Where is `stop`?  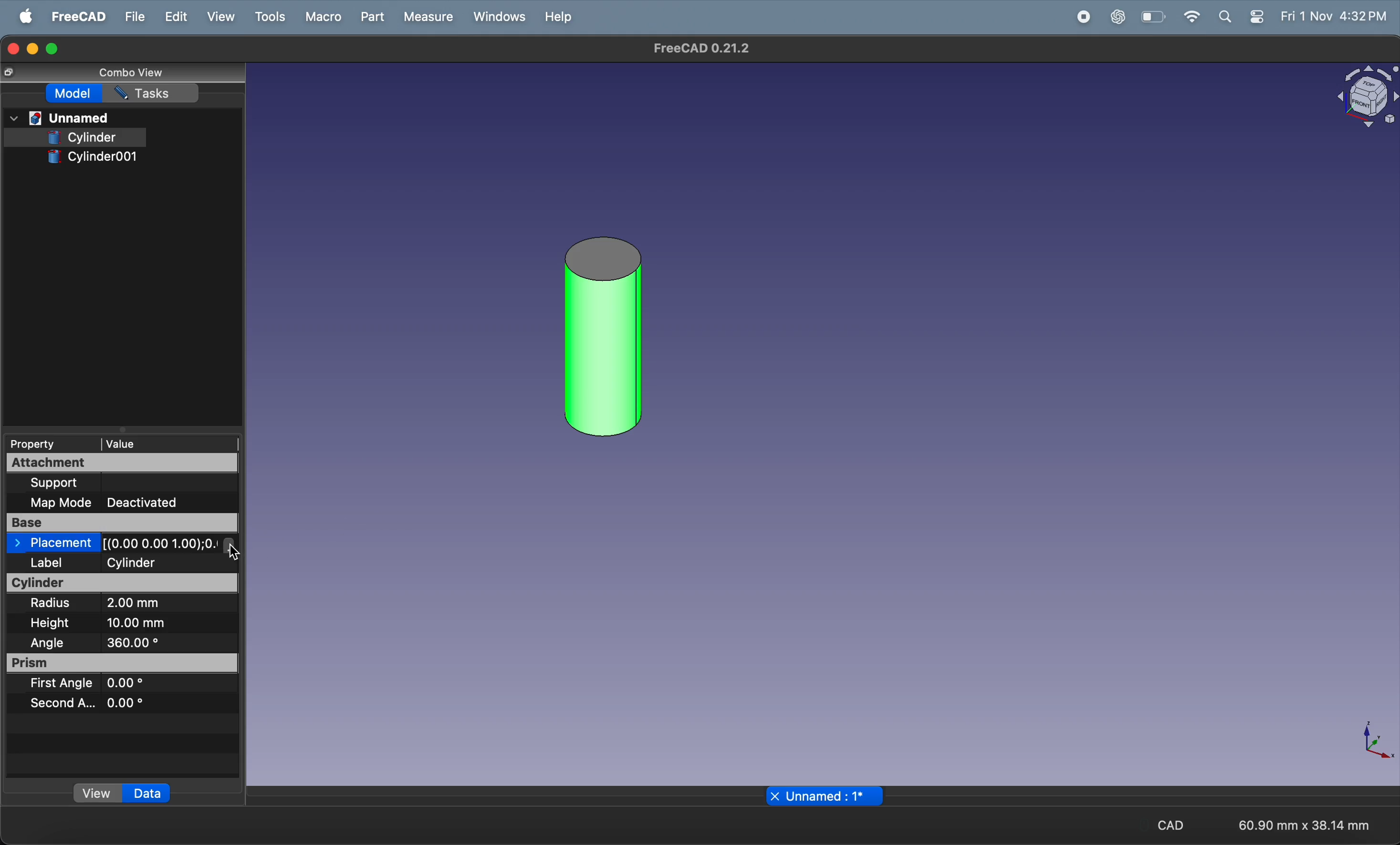
stop is located at coordinates (1039, 17).